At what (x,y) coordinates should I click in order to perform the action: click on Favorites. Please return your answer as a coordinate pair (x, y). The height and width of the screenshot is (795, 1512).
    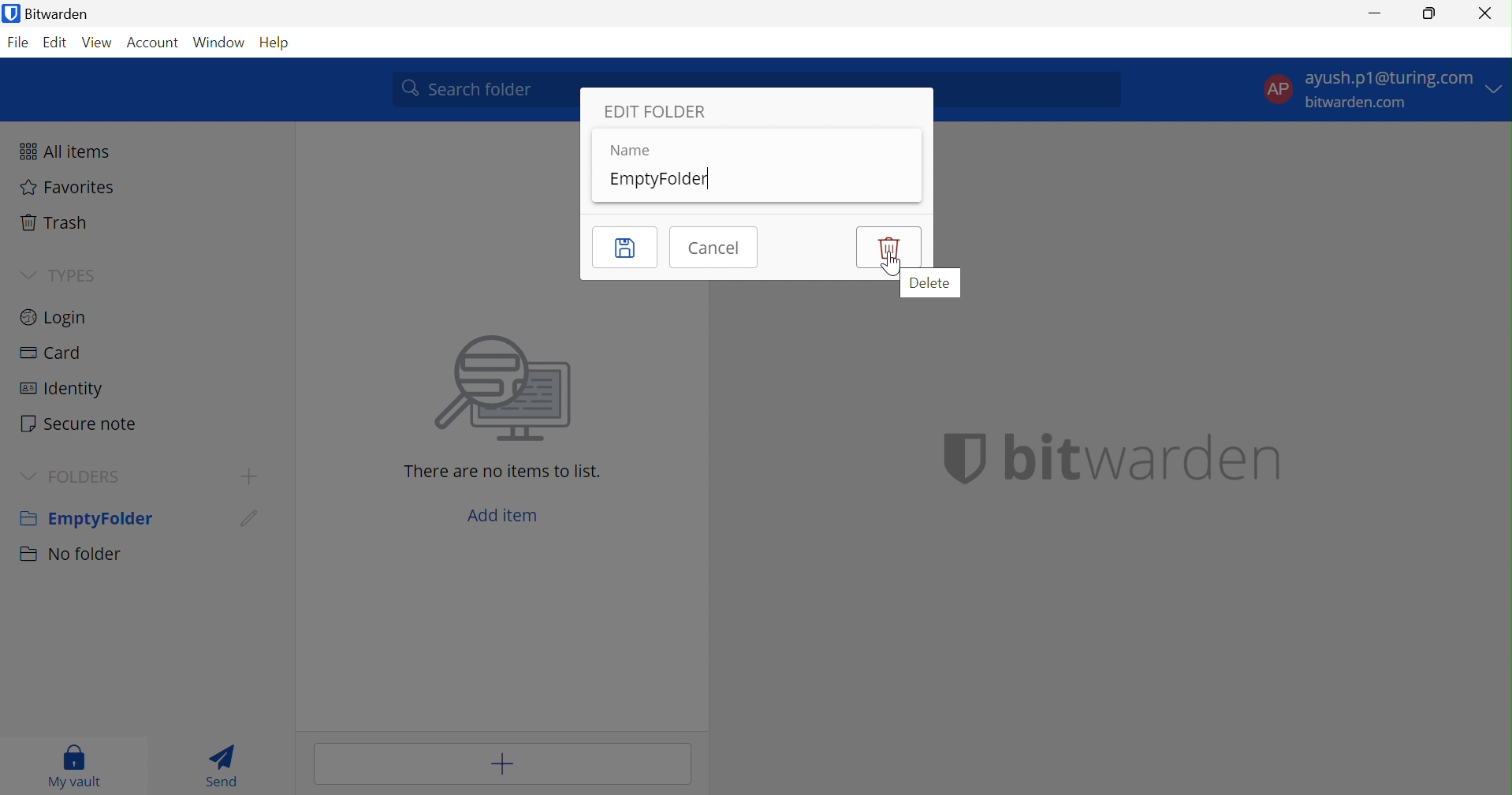
    Looking at the image, I should click on (68, 187).